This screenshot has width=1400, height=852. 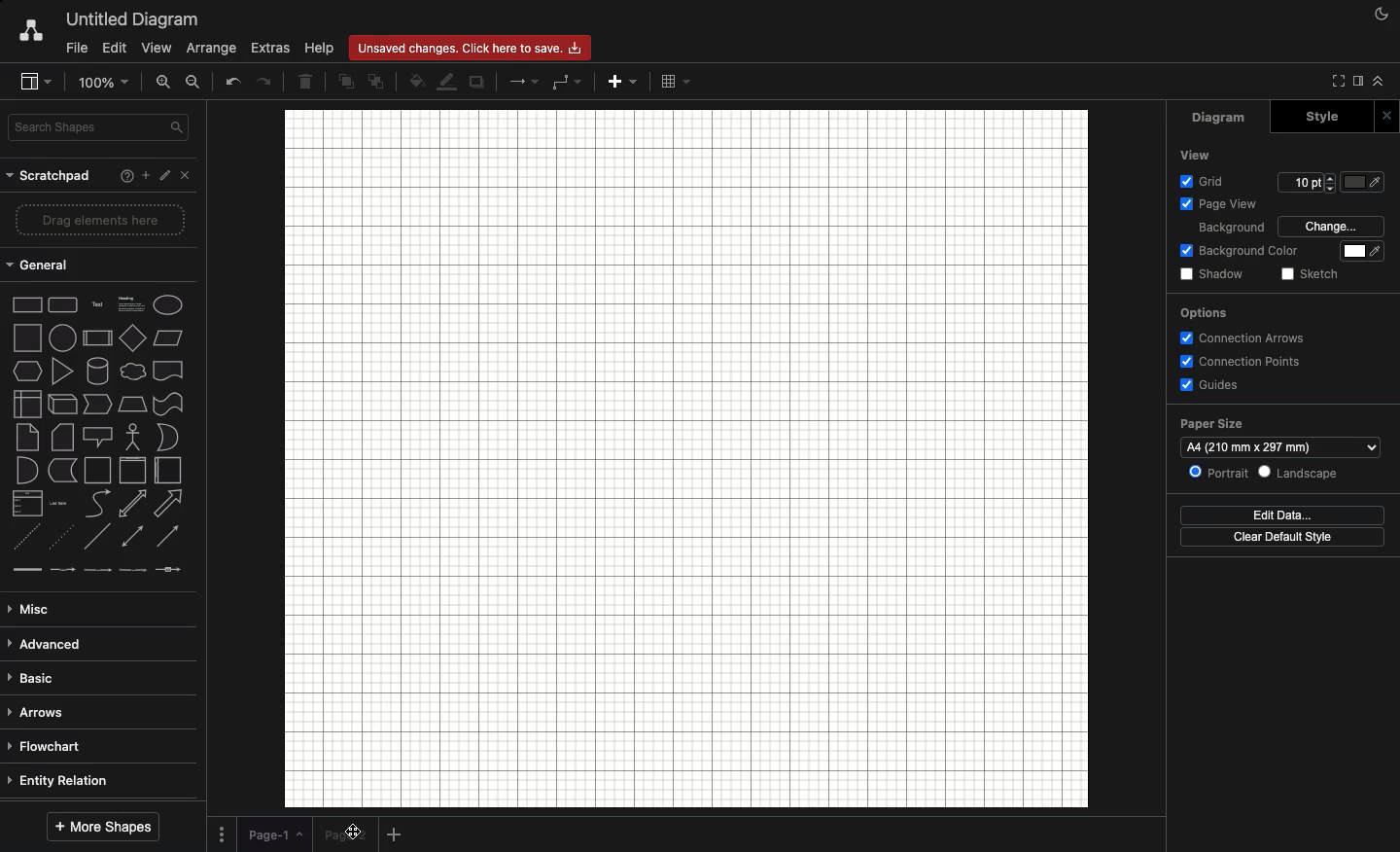 What do you see at coordinates (378, 83) in the screenshot?
I see `To back` at bounding box center [378, 83].